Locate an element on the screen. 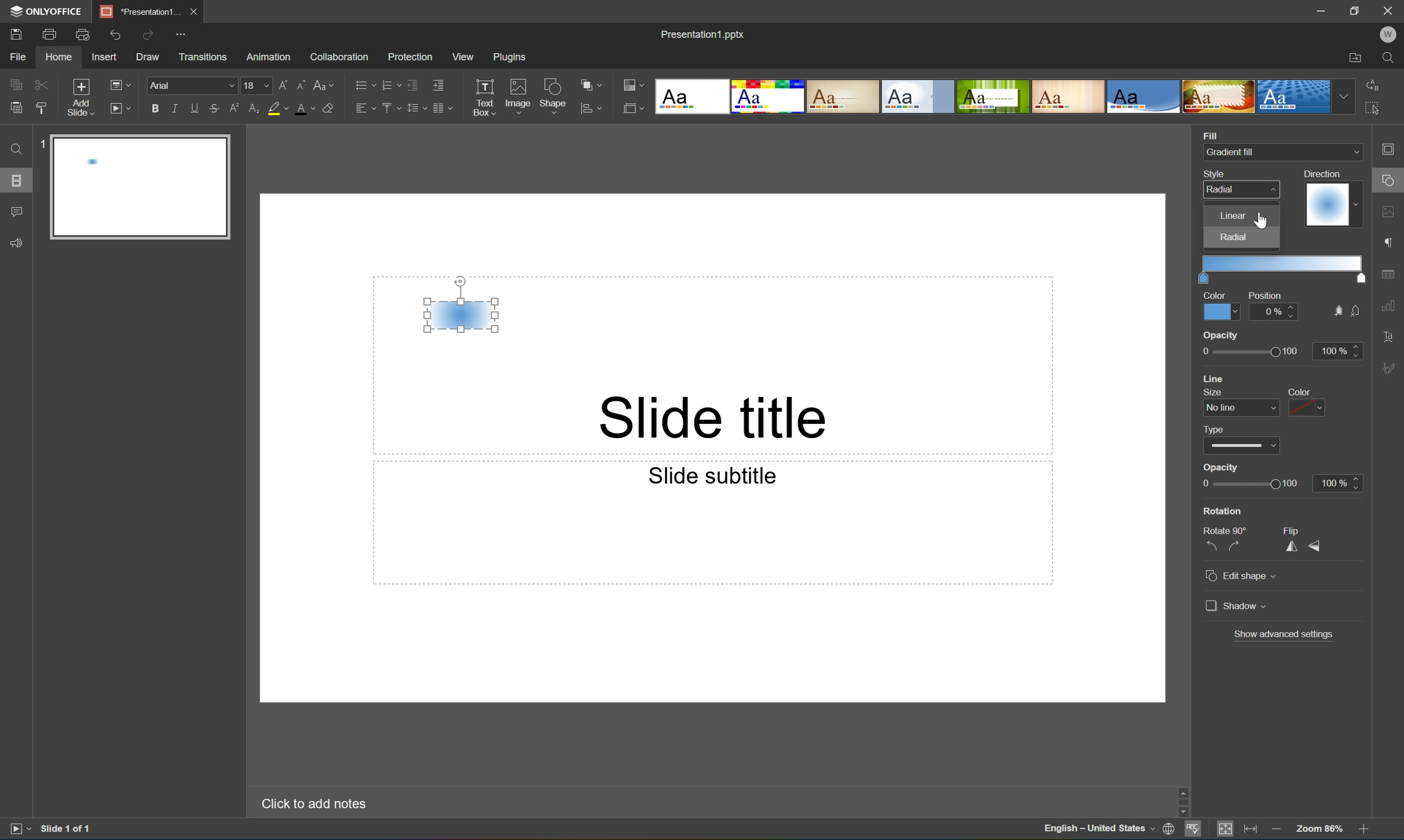  Shadow is located at coordinates (1236, 605).